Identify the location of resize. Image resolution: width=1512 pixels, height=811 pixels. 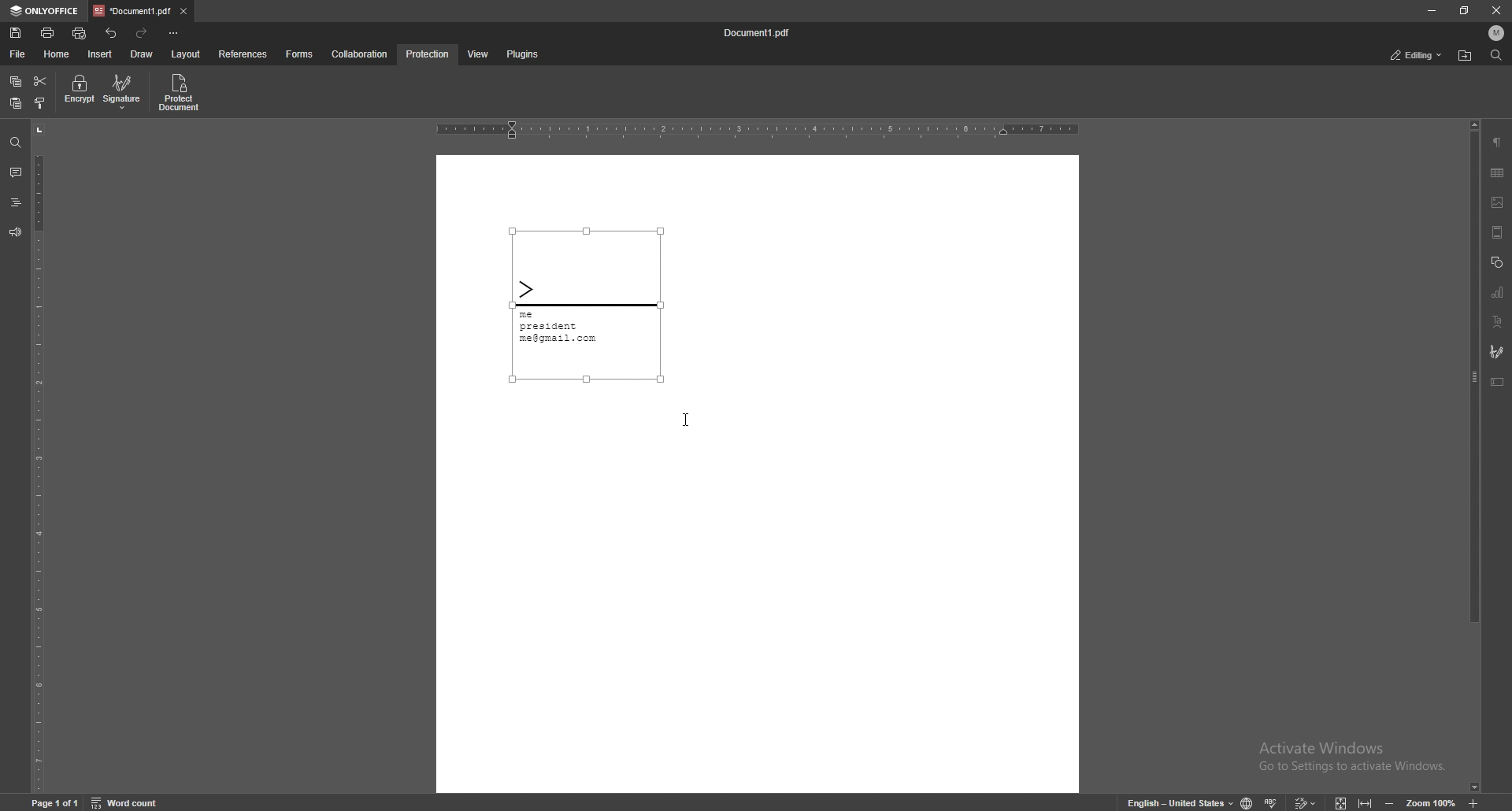
(1466, 10).